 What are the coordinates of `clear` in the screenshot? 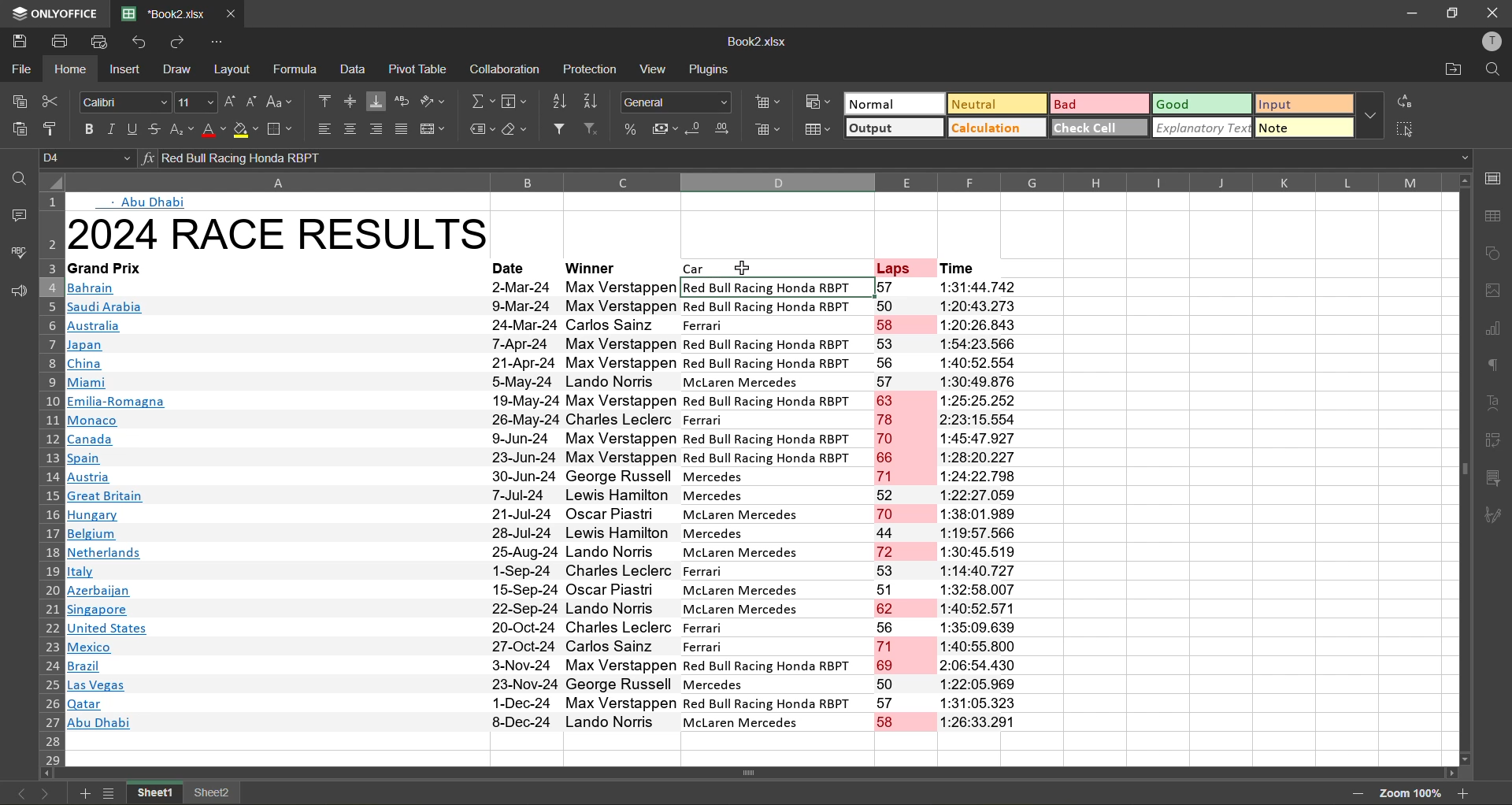 It's located at (520, 132).